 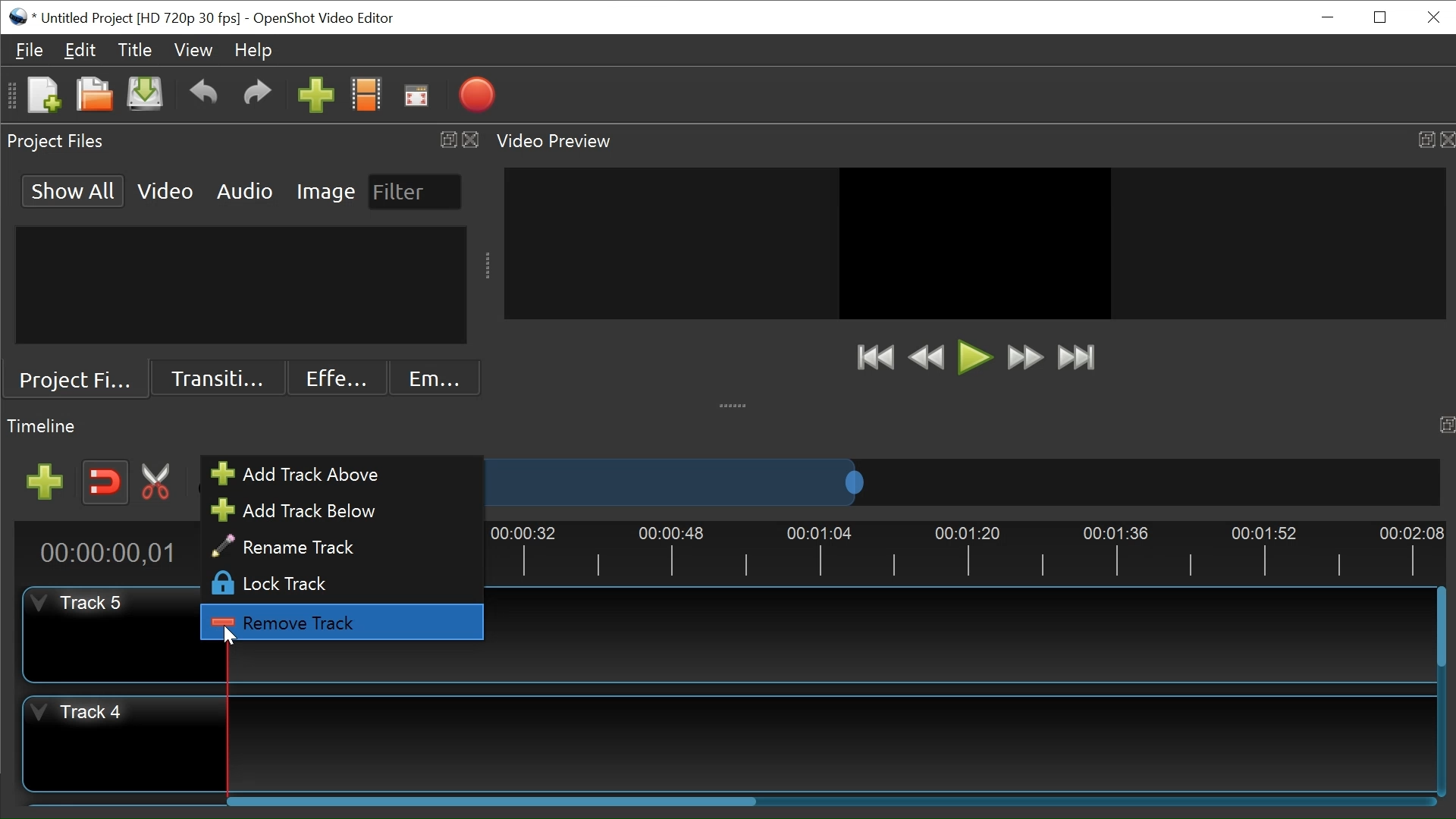 I want to click on Show All, so click(x=74, y=190).